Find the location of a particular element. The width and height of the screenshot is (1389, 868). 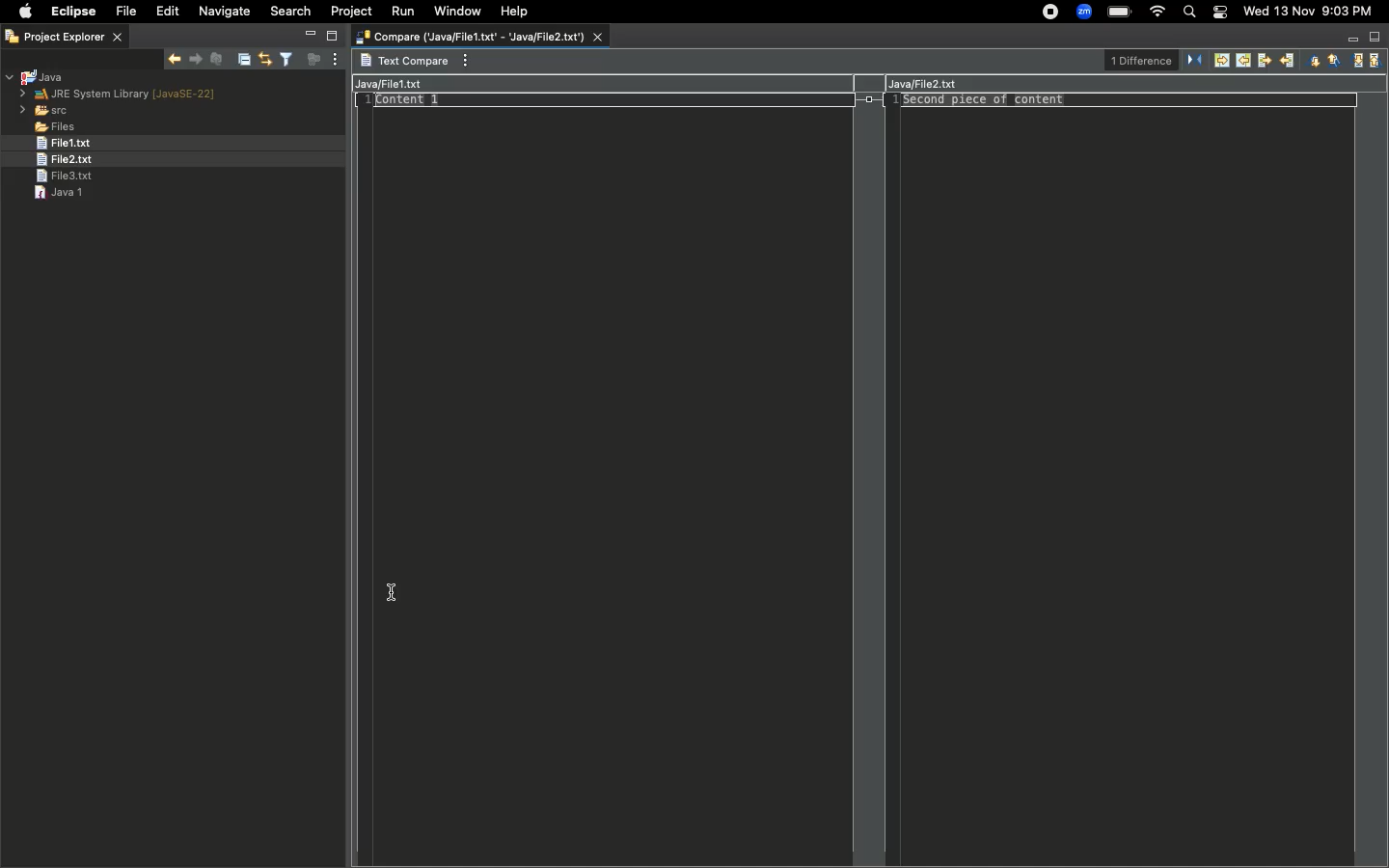

Help is located at coordinates (515, 12).